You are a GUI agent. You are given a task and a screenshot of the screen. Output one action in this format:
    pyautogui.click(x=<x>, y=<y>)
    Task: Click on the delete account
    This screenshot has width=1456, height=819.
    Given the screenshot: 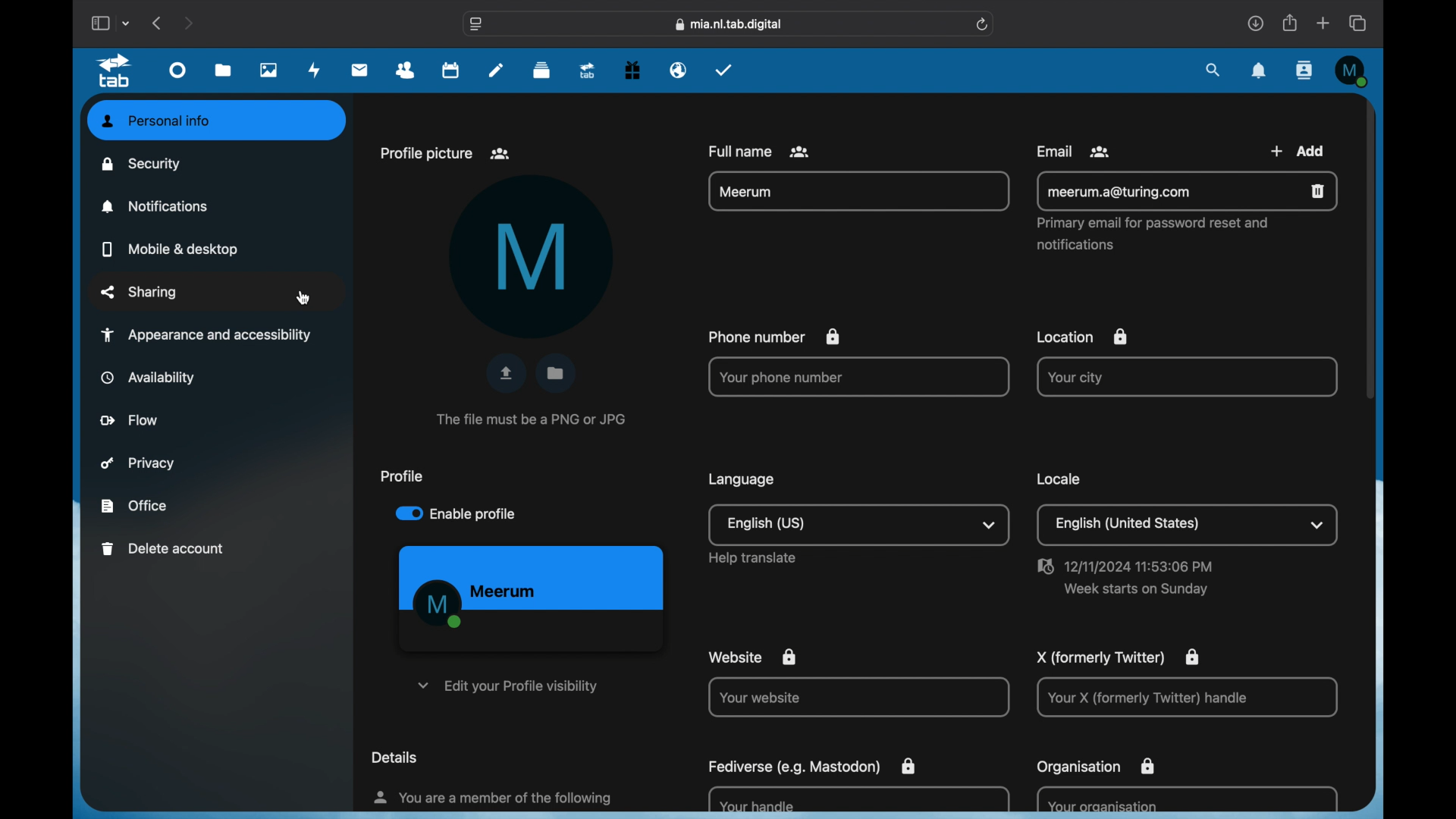 What is the action you would take?
    pyautogui.click(x=163, y=549)
    